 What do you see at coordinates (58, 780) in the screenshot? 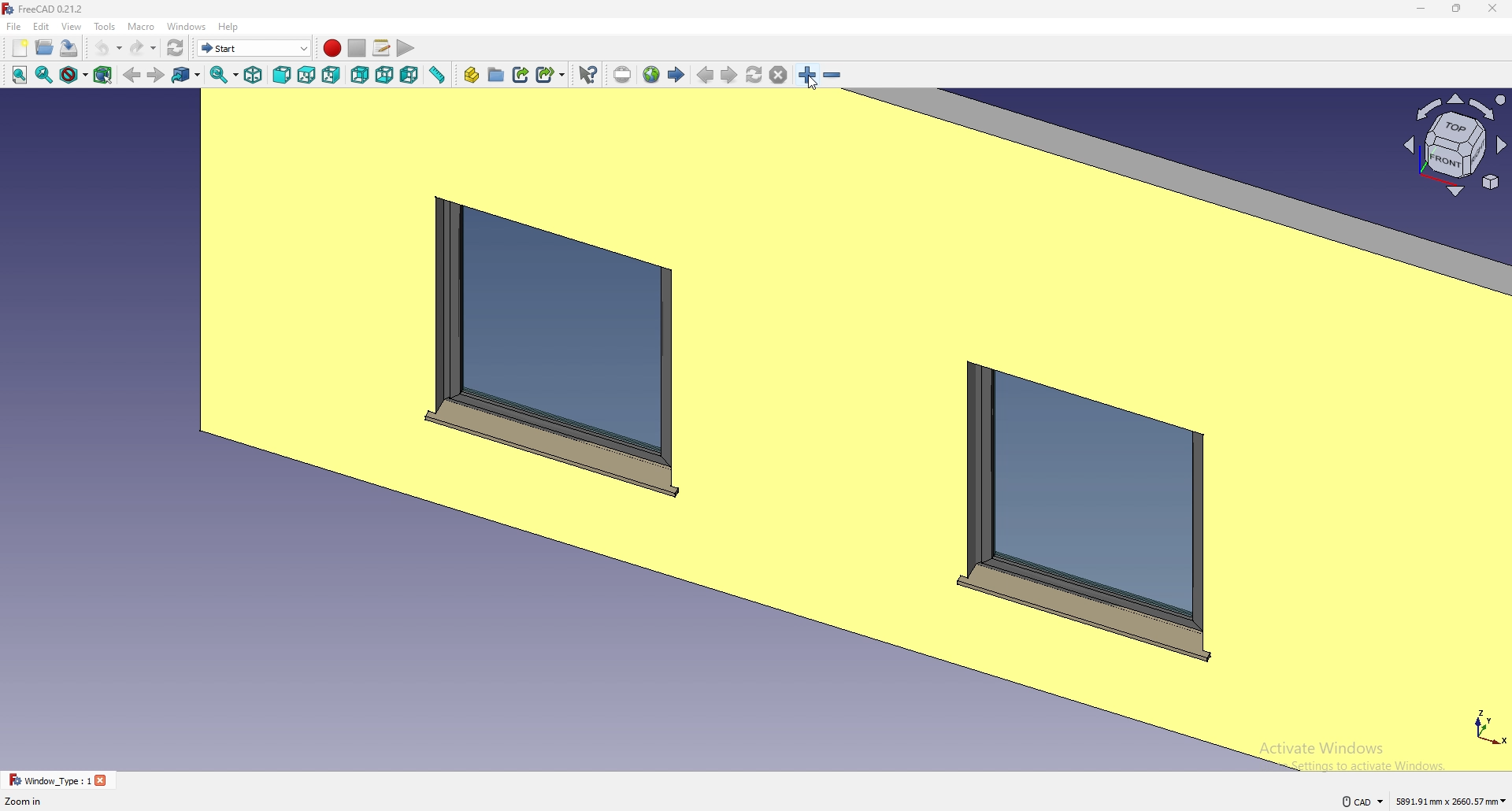
I see `tab 1` at bounding box center [58, 780].